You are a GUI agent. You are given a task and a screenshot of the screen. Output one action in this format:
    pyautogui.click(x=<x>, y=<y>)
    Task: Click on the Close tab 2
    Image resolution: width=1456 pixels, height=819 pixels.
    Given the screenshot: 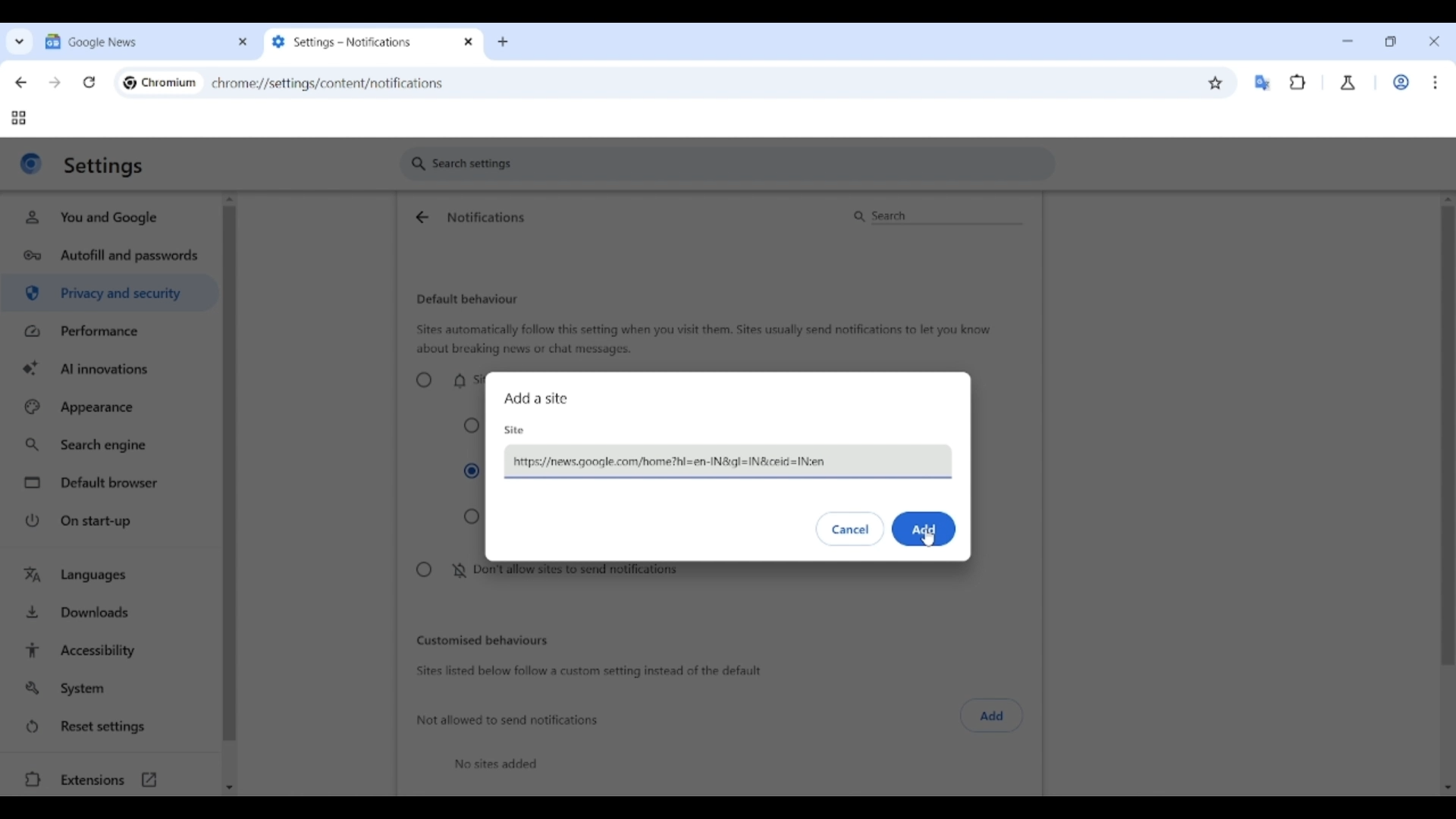 What is the action you would take?
    pyautogui.click(x=469, y=42)
    